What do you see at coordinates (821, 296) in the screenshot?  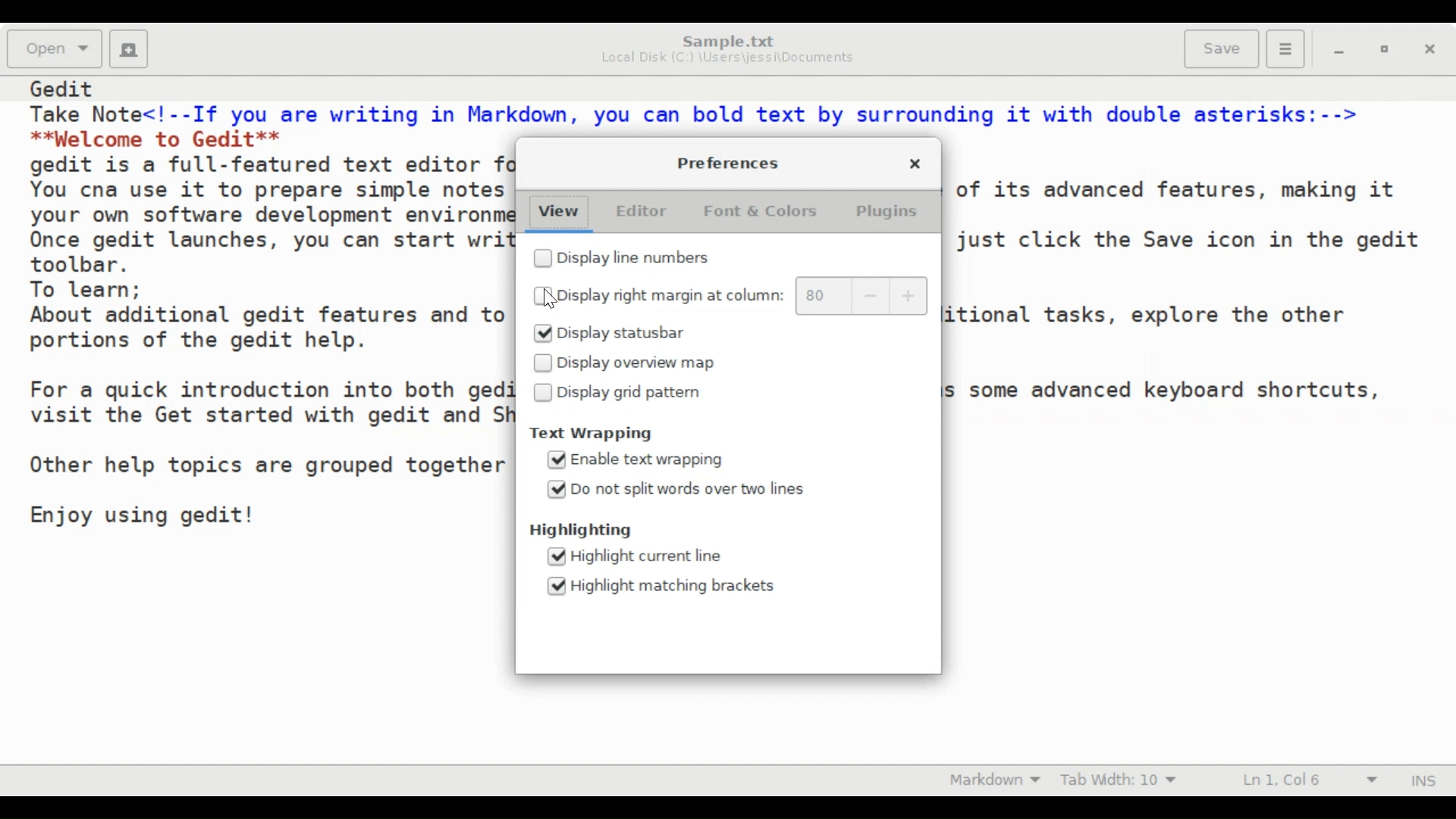 I see `80` at bounding box center [821, 296].